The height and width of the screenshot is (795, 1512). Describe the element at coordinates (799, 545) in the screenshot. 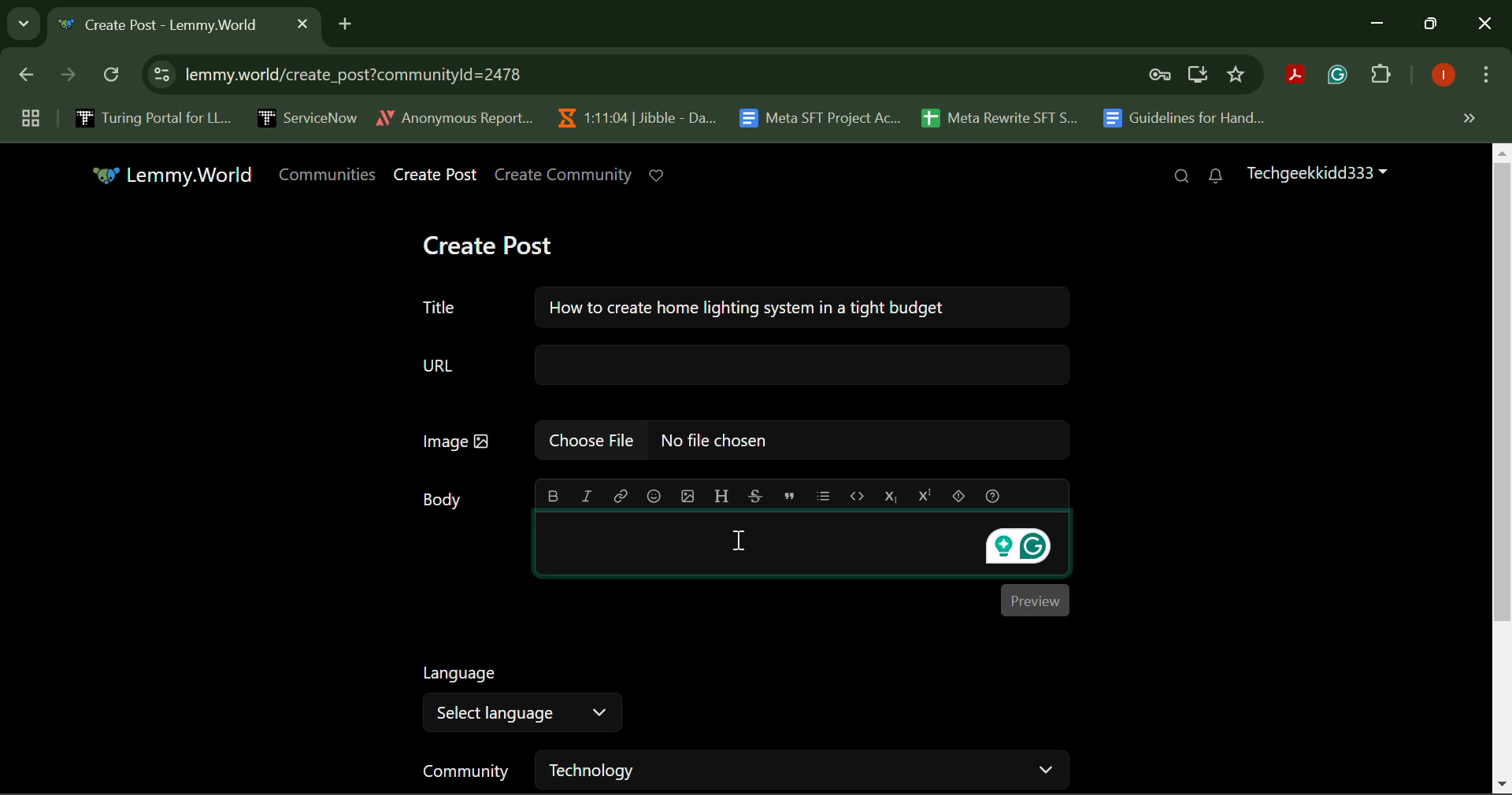

I see `Post Body Text Box Selected` at that location.